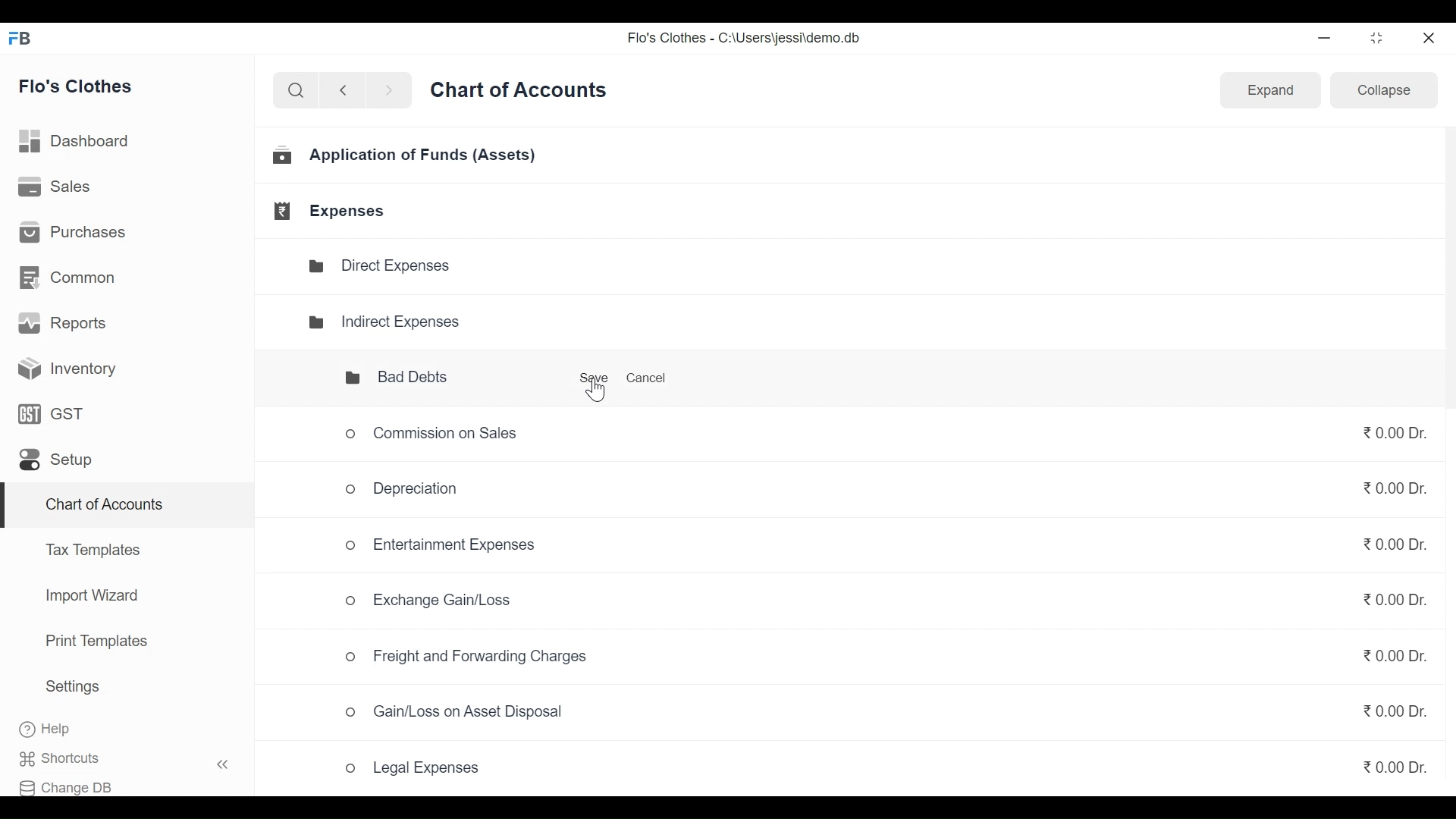  Describe the element at coordinates (101, 507) in the screenshot. I see `Chart of Accounts` at that location.